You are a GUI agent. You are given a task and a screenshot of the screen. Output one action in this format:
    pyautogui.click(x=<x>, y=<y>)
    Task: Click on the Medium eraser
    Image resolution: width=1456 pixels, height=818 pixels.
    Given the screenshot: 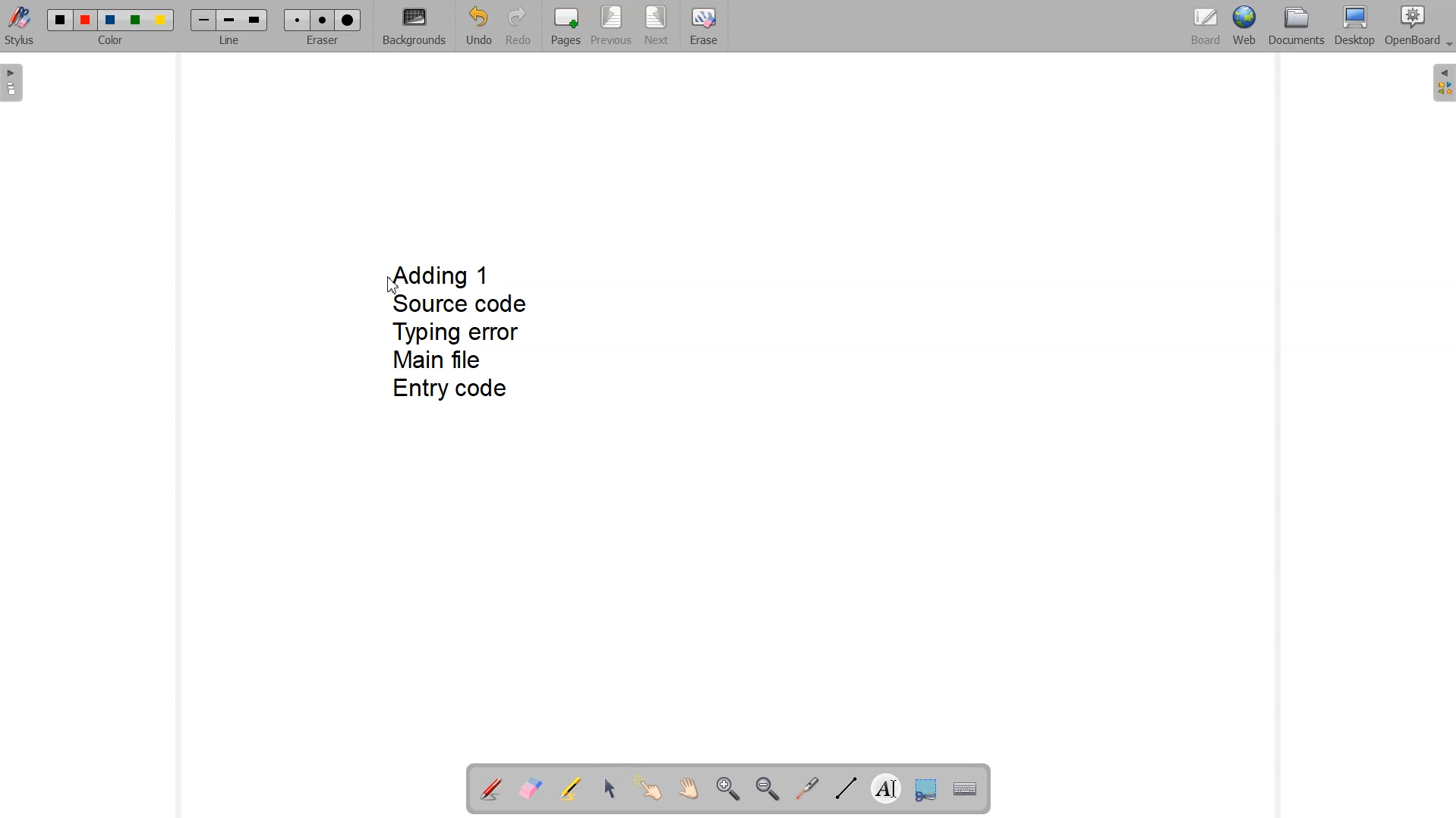 What is the action you would take?
    pyautogui.click(x=323, y=20)
    